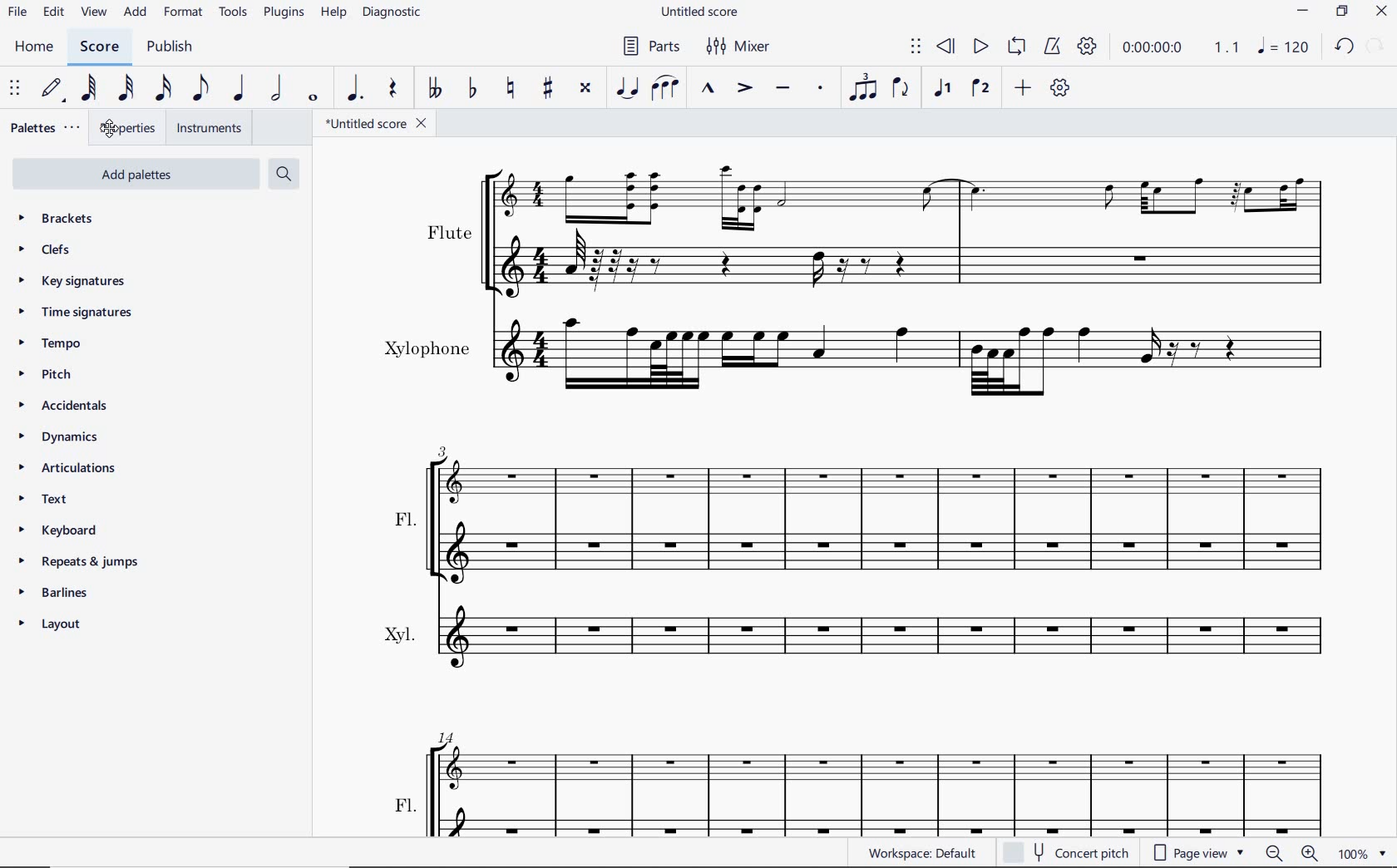 The image size is (1397, 868). What do you see at coordinates (390, 13) in the screenshot?
I see `DIAGNOSTIC` at bounding box center [390, 13].